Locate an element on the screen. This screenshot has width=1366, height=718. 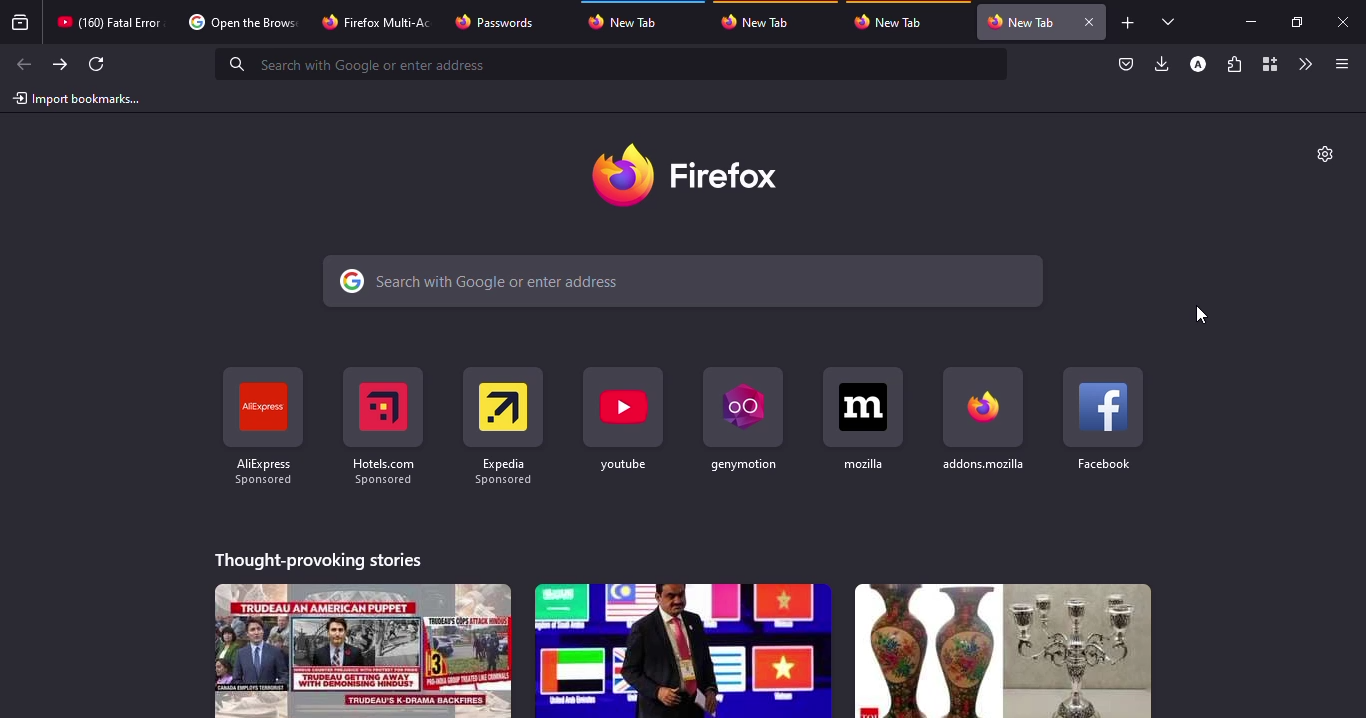
story is located at coordinates (683, 650).